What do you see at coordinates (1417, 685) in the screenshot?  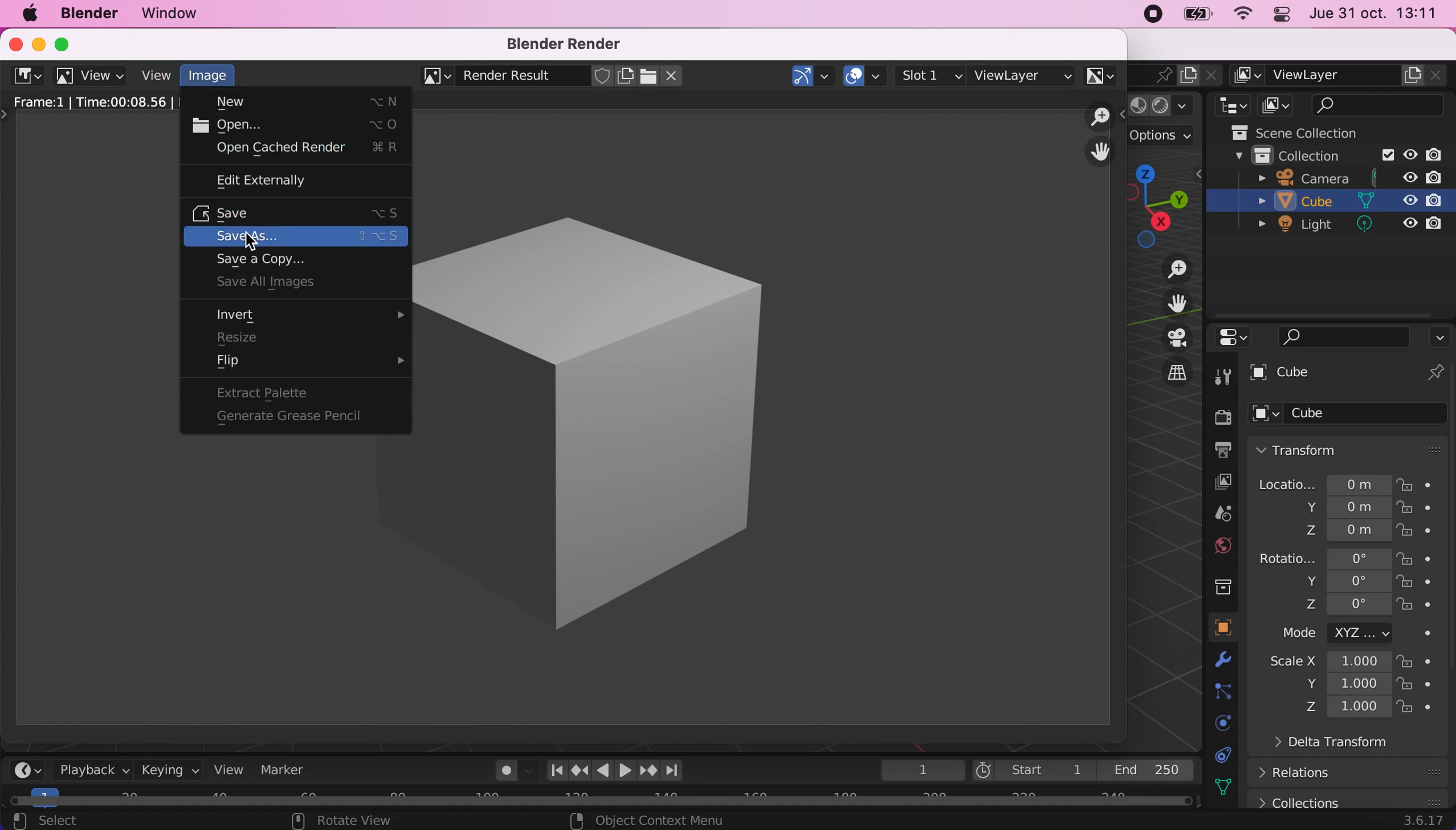 I see `lock` at bounding box center [1417, 685].